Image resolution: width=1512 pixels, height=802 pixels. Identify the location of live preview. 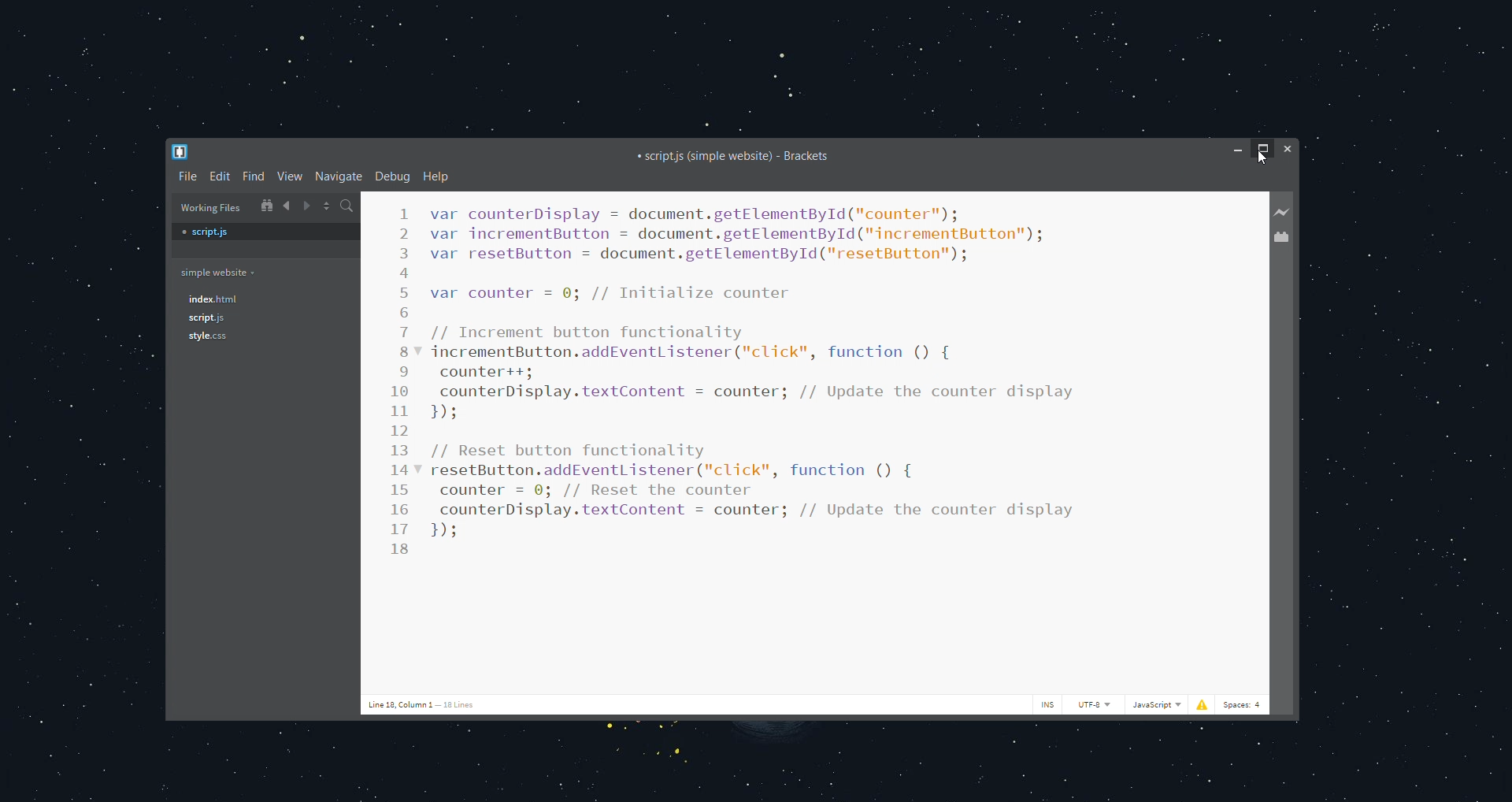
(1284, 211).